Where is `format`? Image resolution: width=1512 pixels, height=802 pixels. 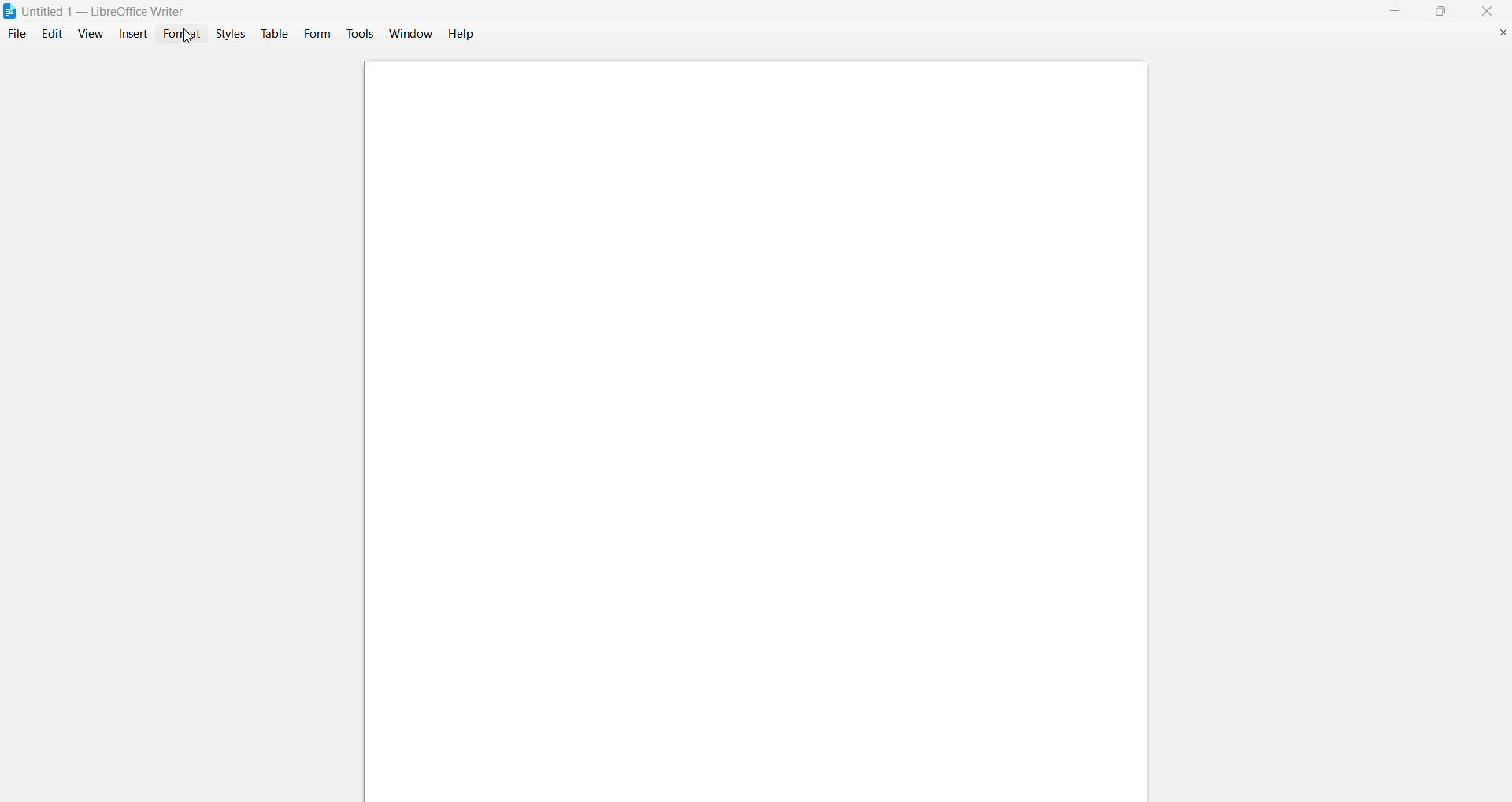
format is located at coordinates (178, 33).